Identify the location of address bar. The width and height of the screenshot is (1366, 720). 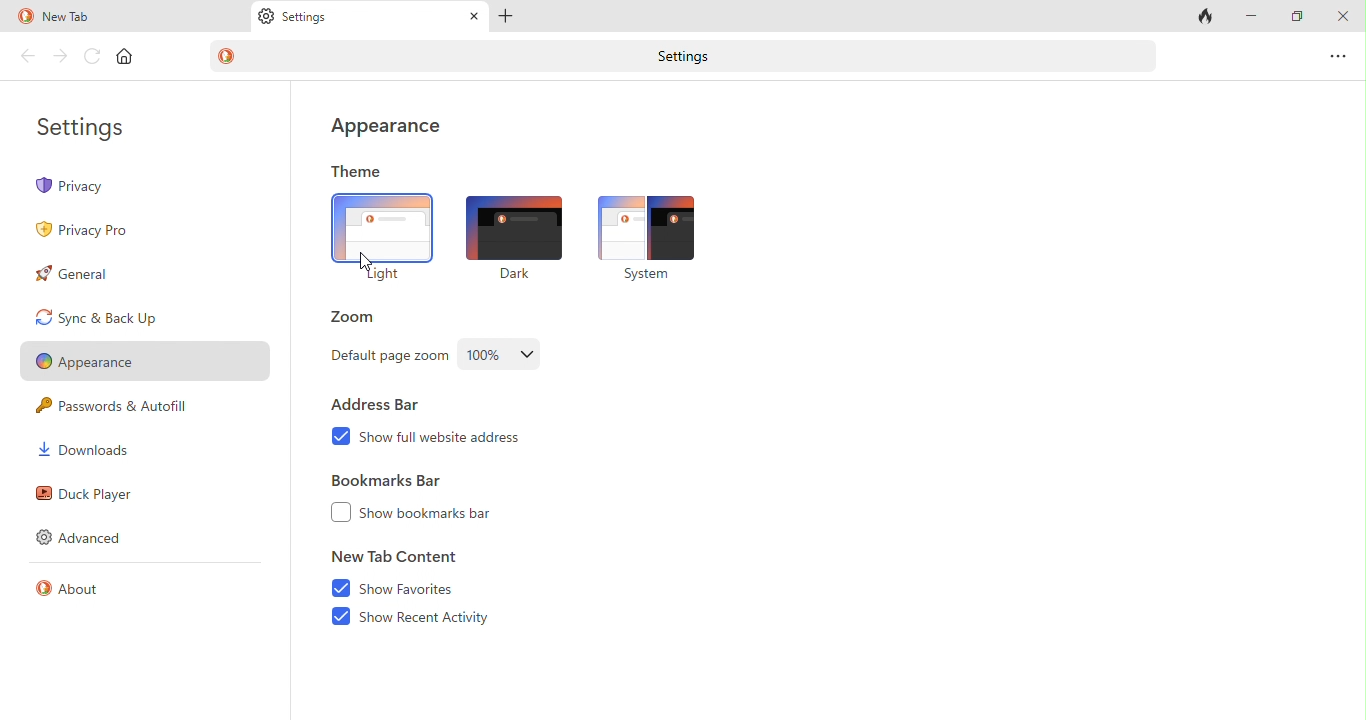
(385, 405).